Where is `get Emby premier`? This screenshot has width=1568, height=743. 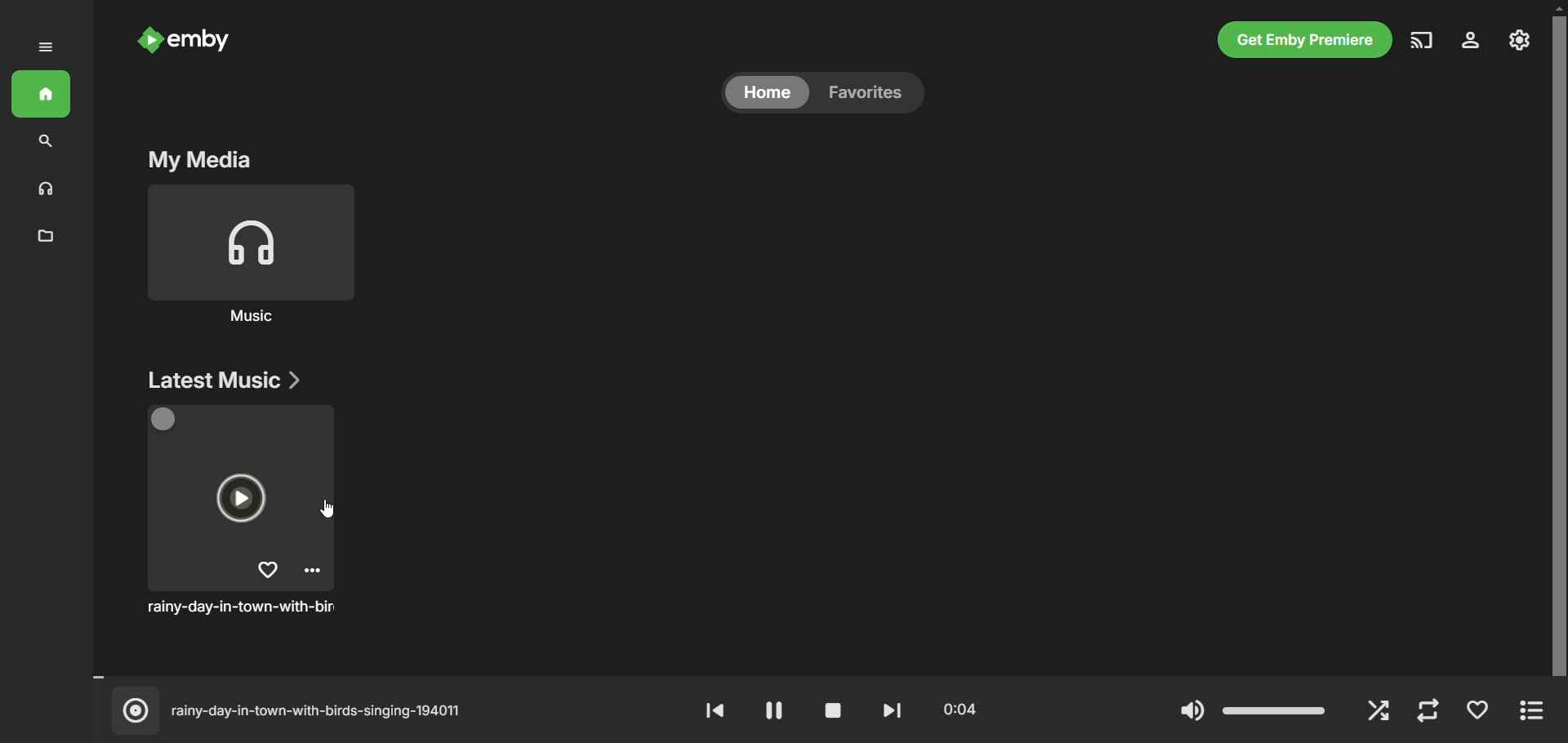 get Emby premier is located at coordinates (1306, 39).